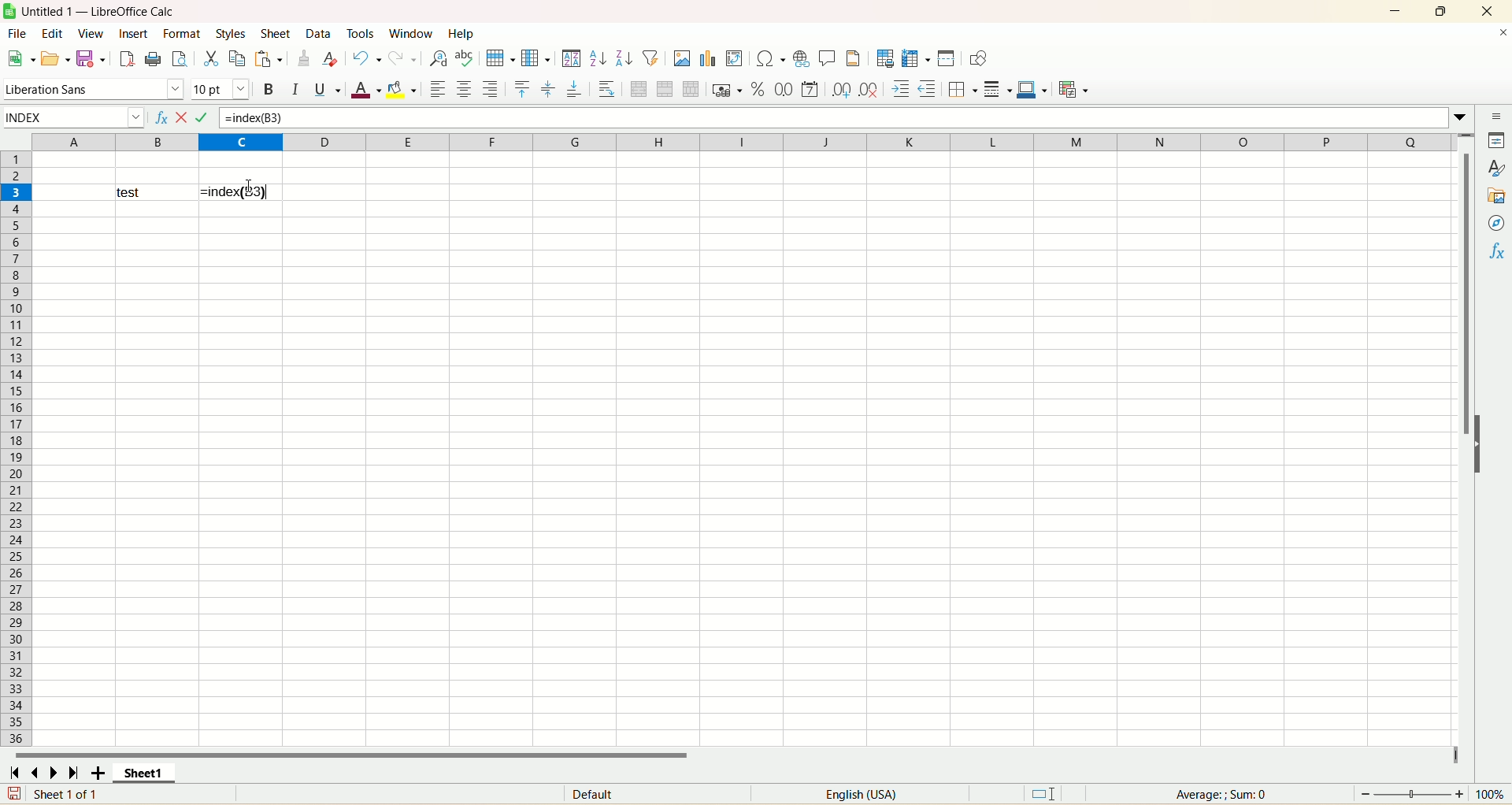 Image resolution: width=1512 pixels, height=805 pixels. Describe the element at coordinates (1395, 11) in the screenshot. I see `minimize` at that location.